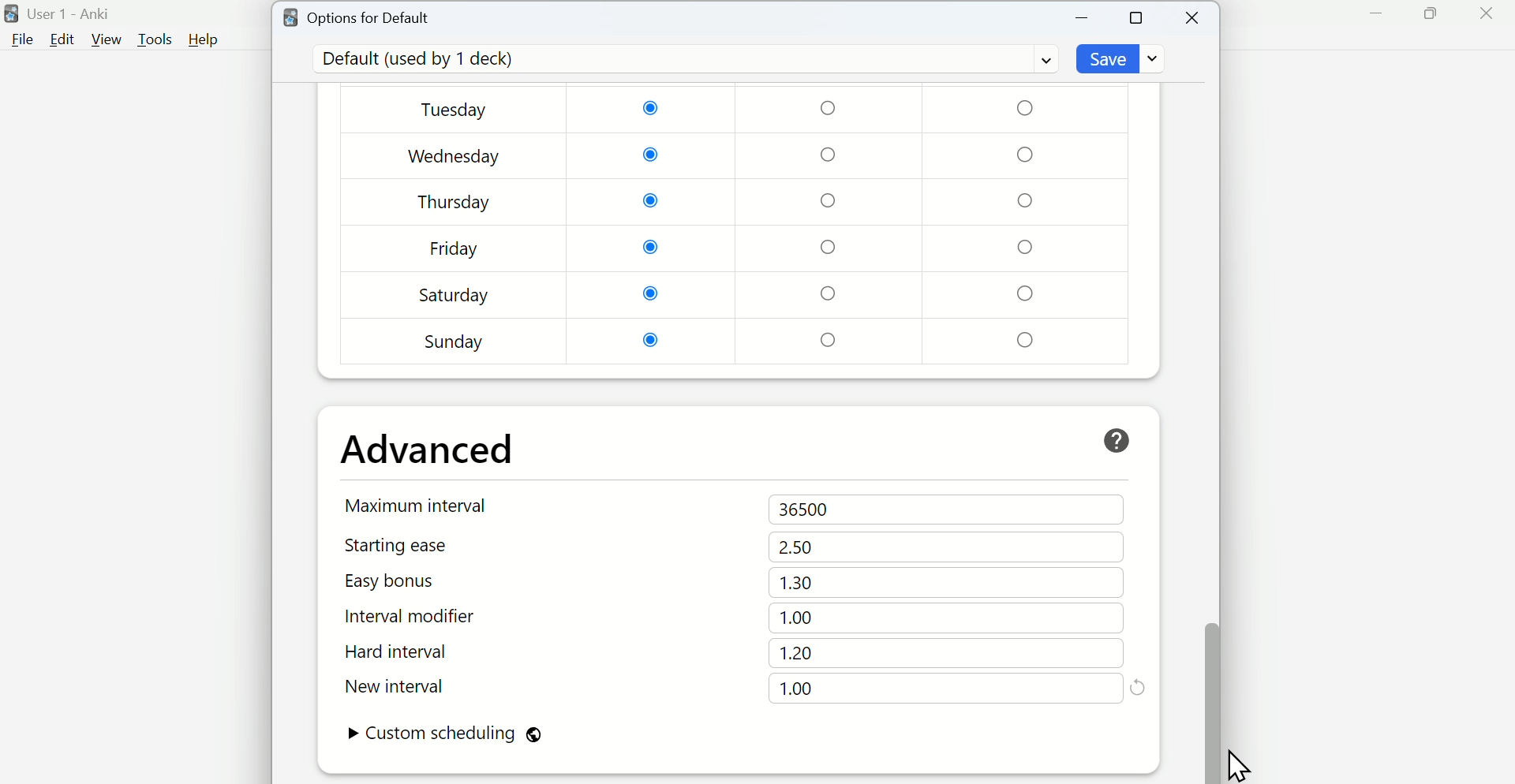 The width and height of the screenshot is (1515, 784). Describe the element at coordinates (357, 16) in the screenshot. I see `Options for Default` at that location.